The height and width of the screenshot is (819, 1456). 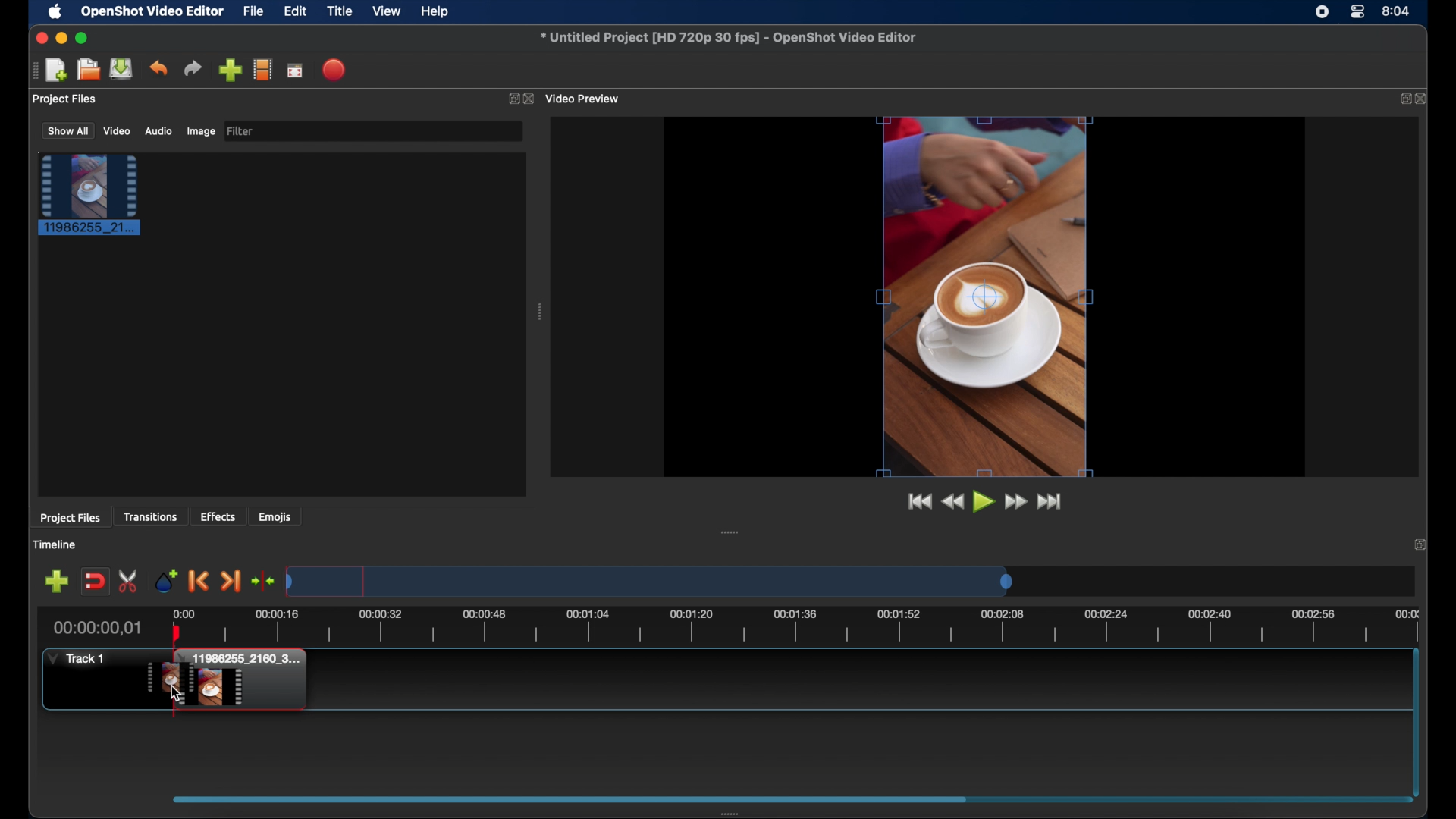 I want to click on export video, so click(x=335, y=70).